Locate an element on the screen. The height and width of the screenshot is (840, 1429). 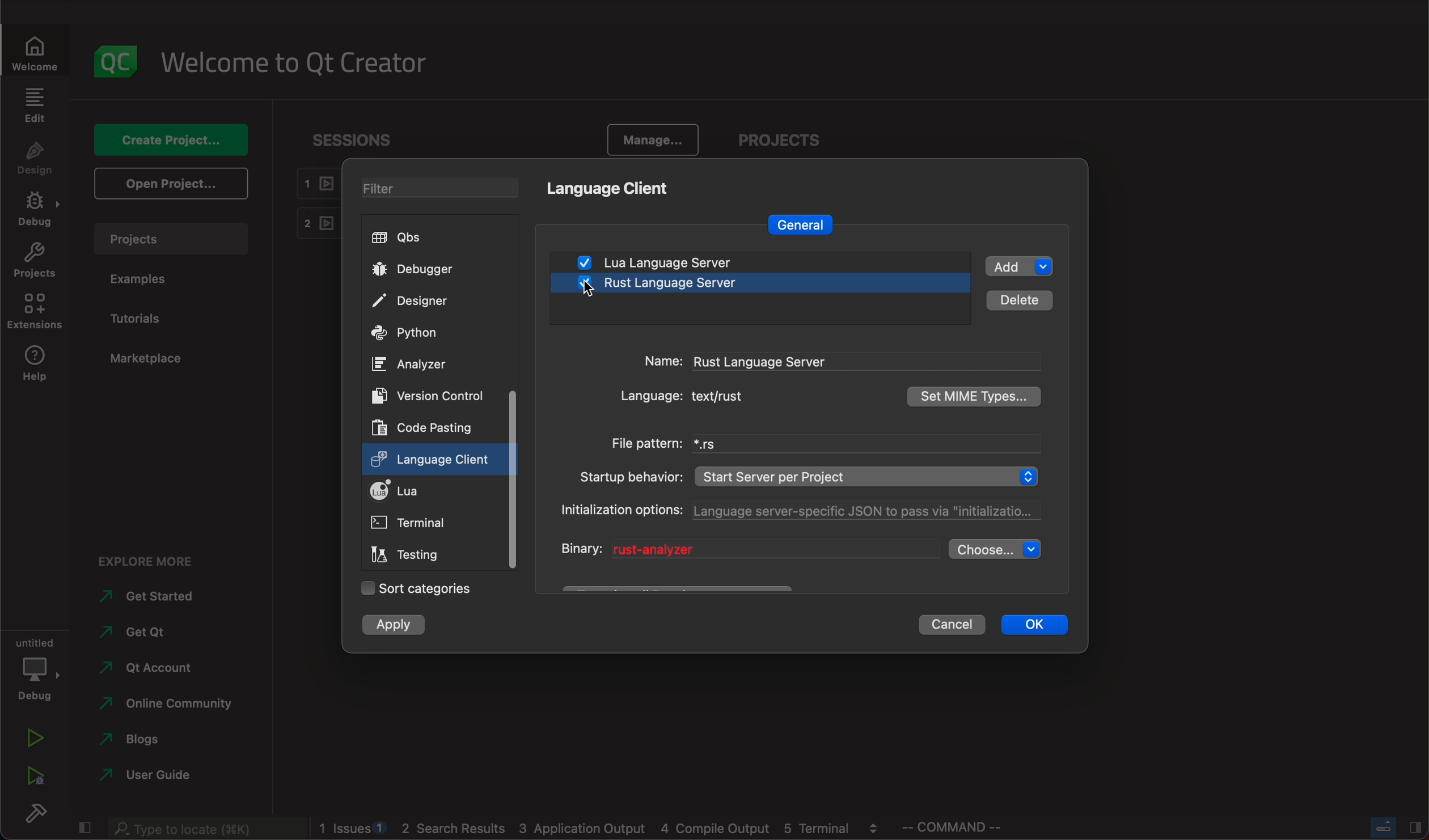
welcome is located at coordinates (35, 50).